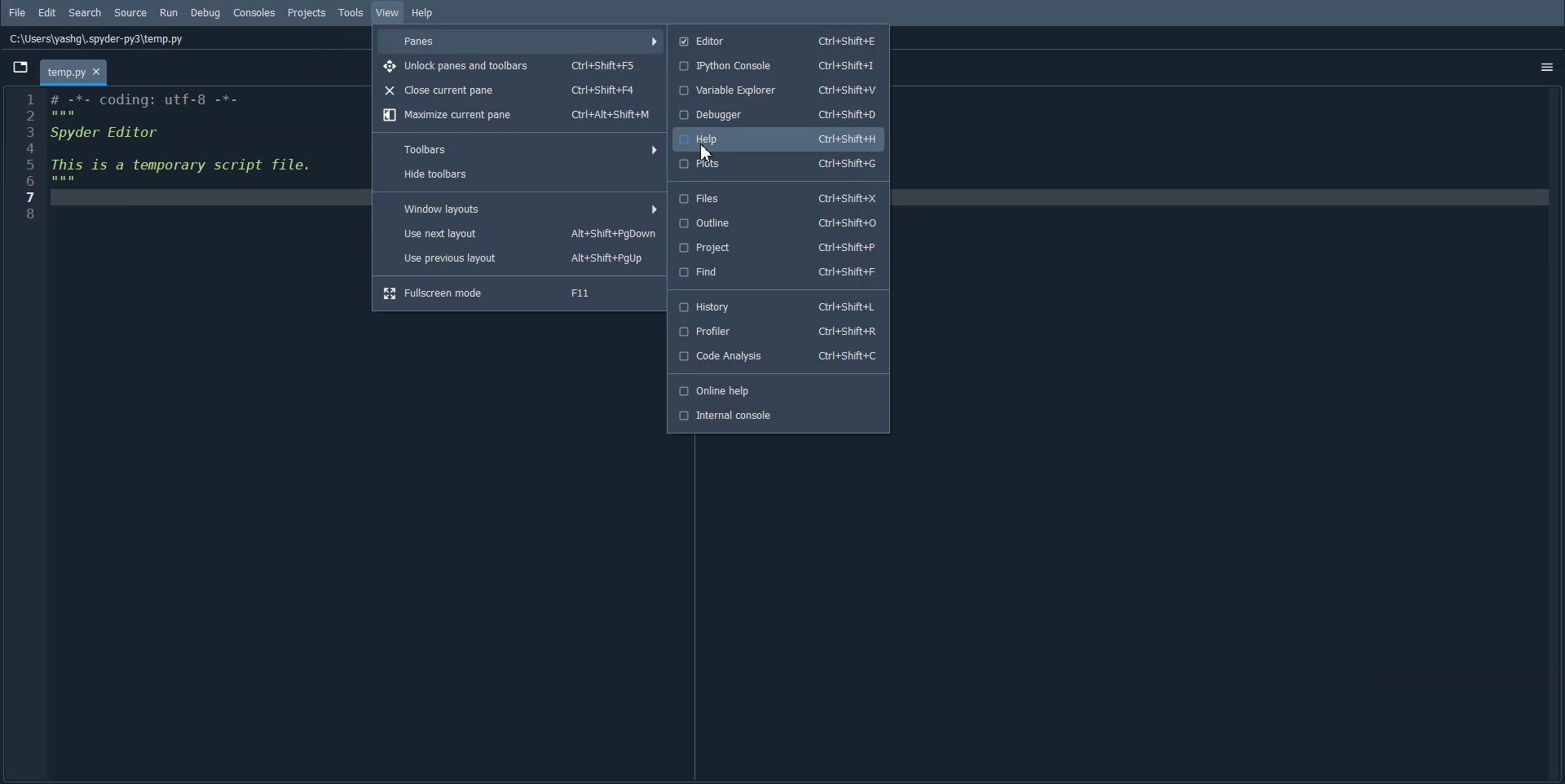 The width and height of the screenshot is (1565, 784). Describe the element at coordinates (76, 71) in the screenshot. I see `current file tab` at that location.